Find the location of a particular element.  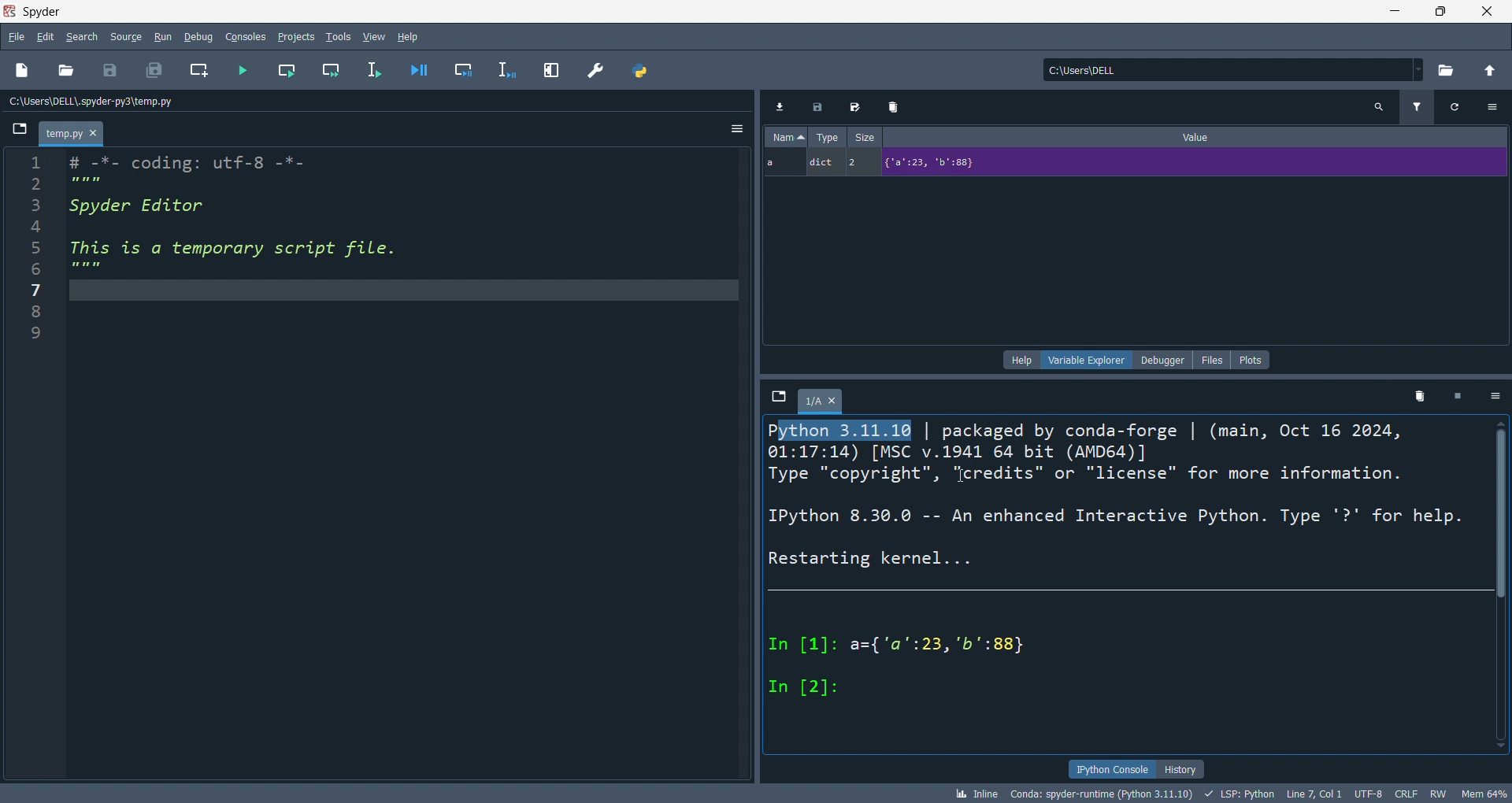

files is located at coordinates (1213, 360).